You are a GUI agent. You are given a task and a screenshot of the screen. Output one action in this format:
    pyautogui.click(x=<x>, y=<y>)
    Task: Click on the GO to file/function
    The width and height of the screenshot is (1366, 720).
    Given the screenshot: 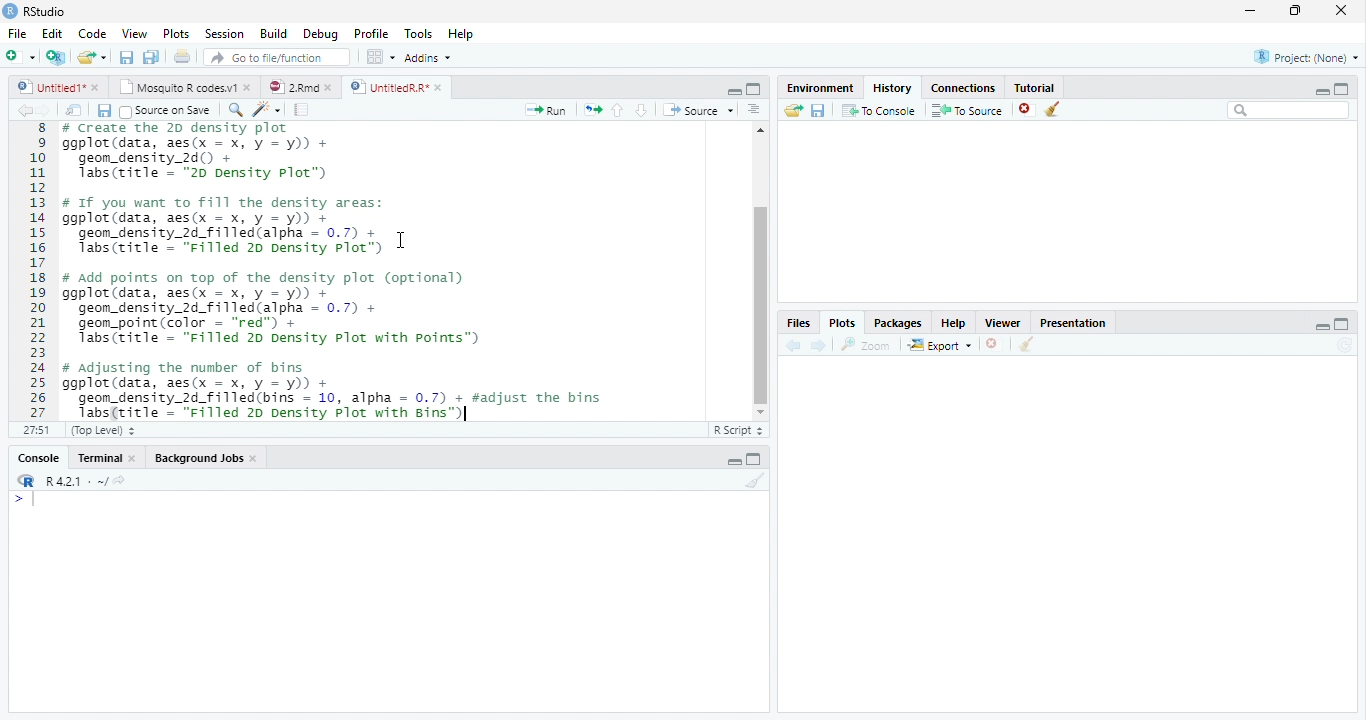 What is the action you would take?
    pyautogui.click(x=273, y=57)
    